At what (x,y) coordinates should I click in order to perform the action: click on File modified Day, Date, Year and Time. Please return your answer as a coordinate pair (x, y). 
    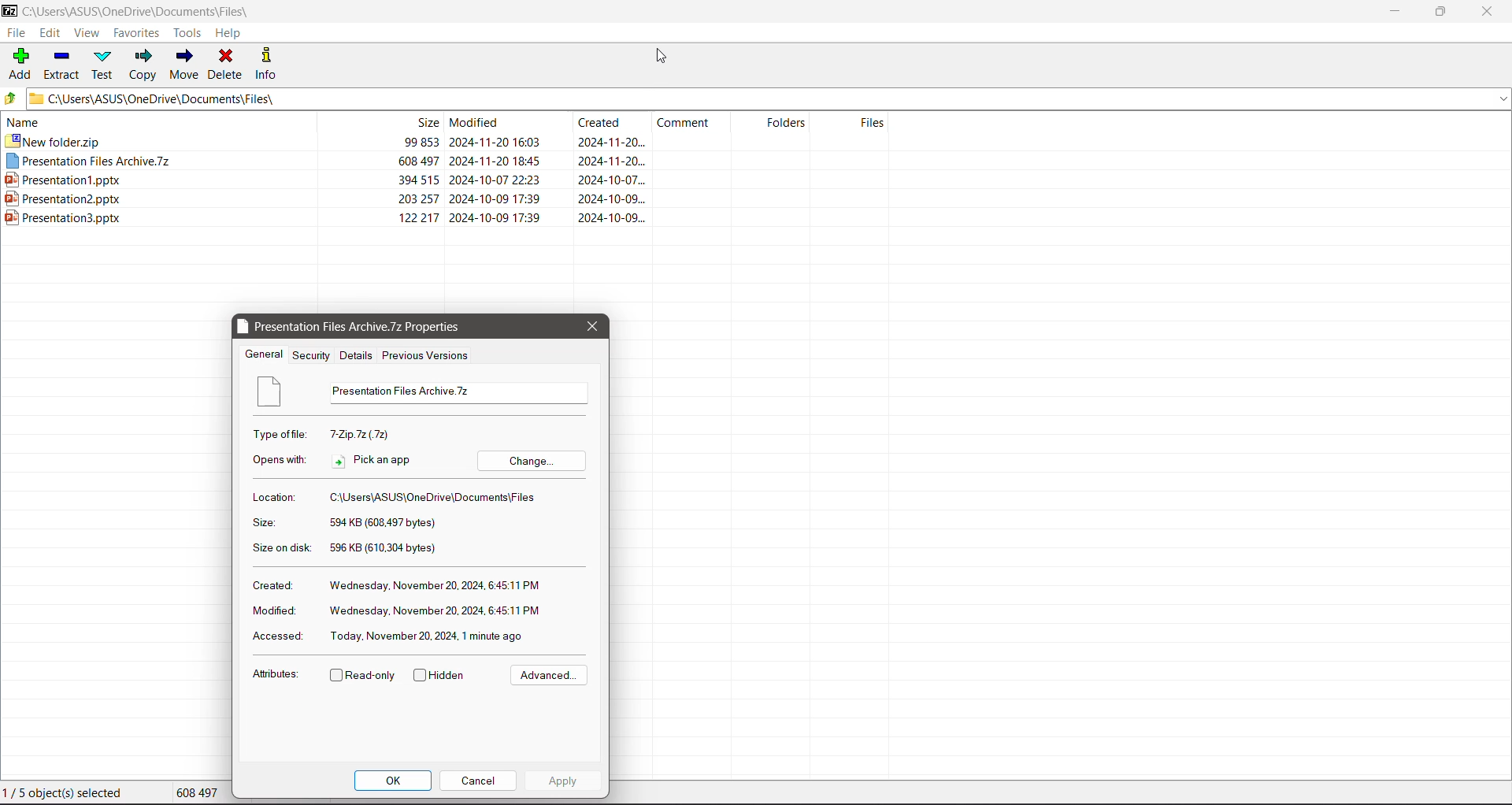
    Looking at the image, I should click on (439, 610).